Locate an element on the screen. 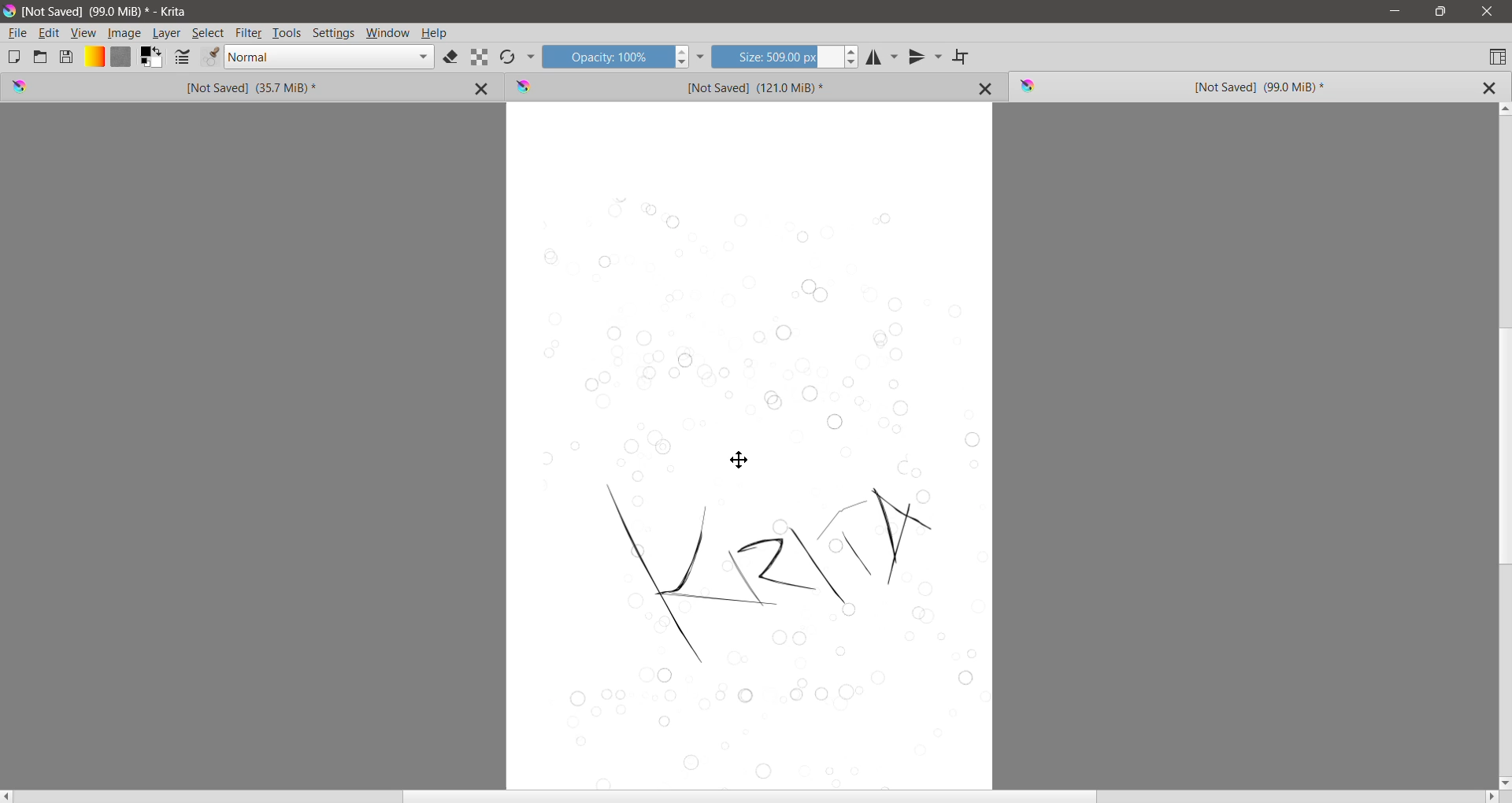 The width and height of the screenshot is (1512, 803). Preserve Alpha is located at coordinates (480, 57).